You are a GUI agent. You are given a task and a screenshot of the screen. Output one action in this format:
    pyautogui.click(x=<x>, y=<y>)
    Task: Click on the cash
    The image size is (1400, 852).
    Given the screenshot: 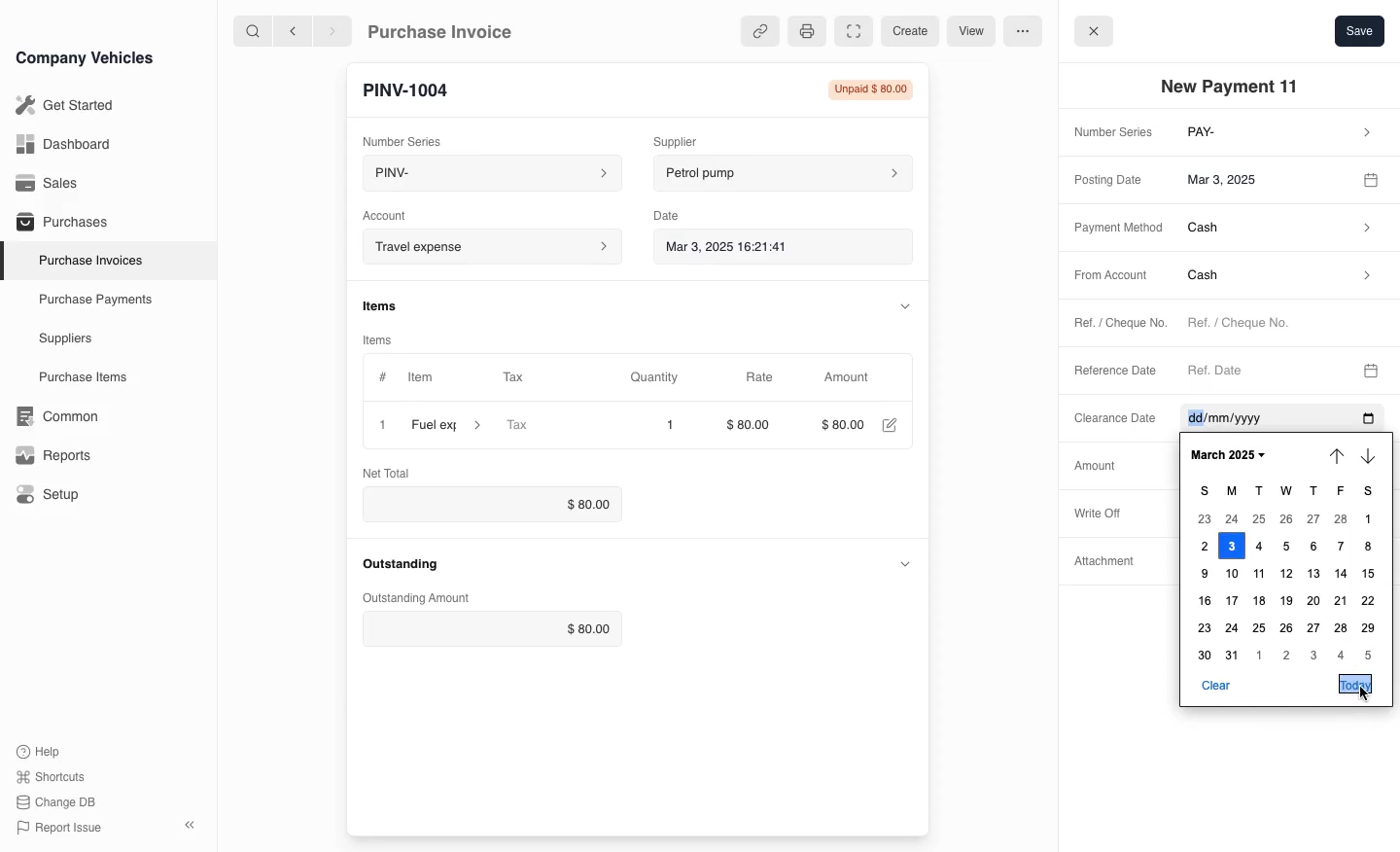 What is the action you would take?
    pyautogui.click(x=1280, y=231)
    